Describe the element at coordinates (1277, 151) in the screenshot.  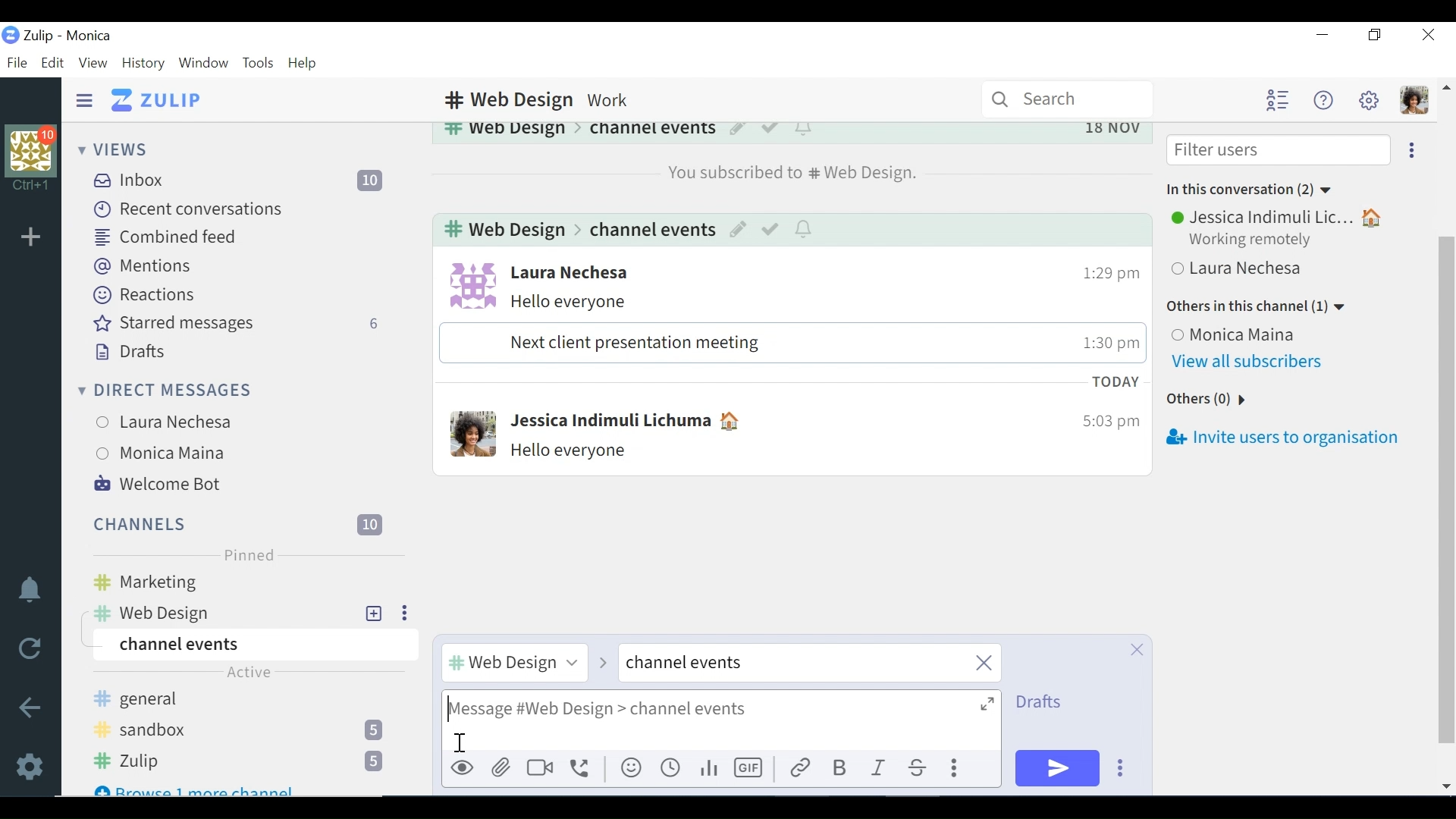
I see `Filter users input` at that location.